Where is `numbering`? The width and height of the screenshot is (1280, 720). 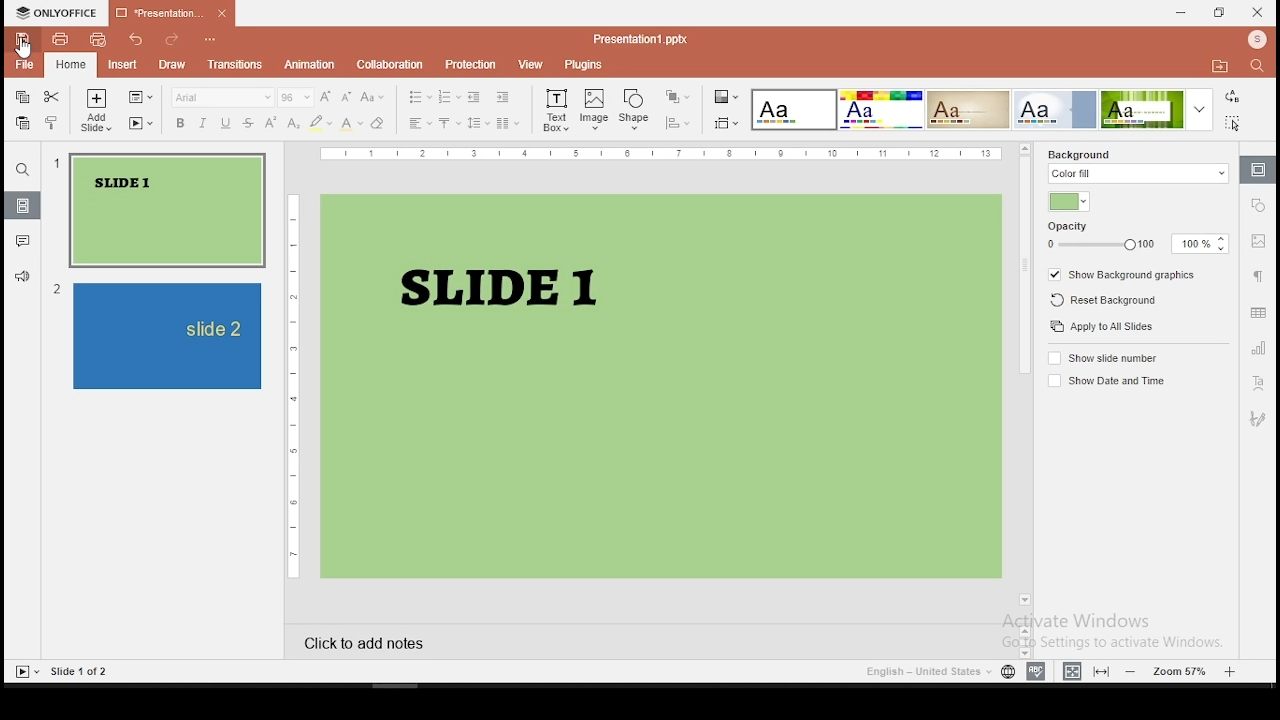 numbering is located at coordinates (450, 97).